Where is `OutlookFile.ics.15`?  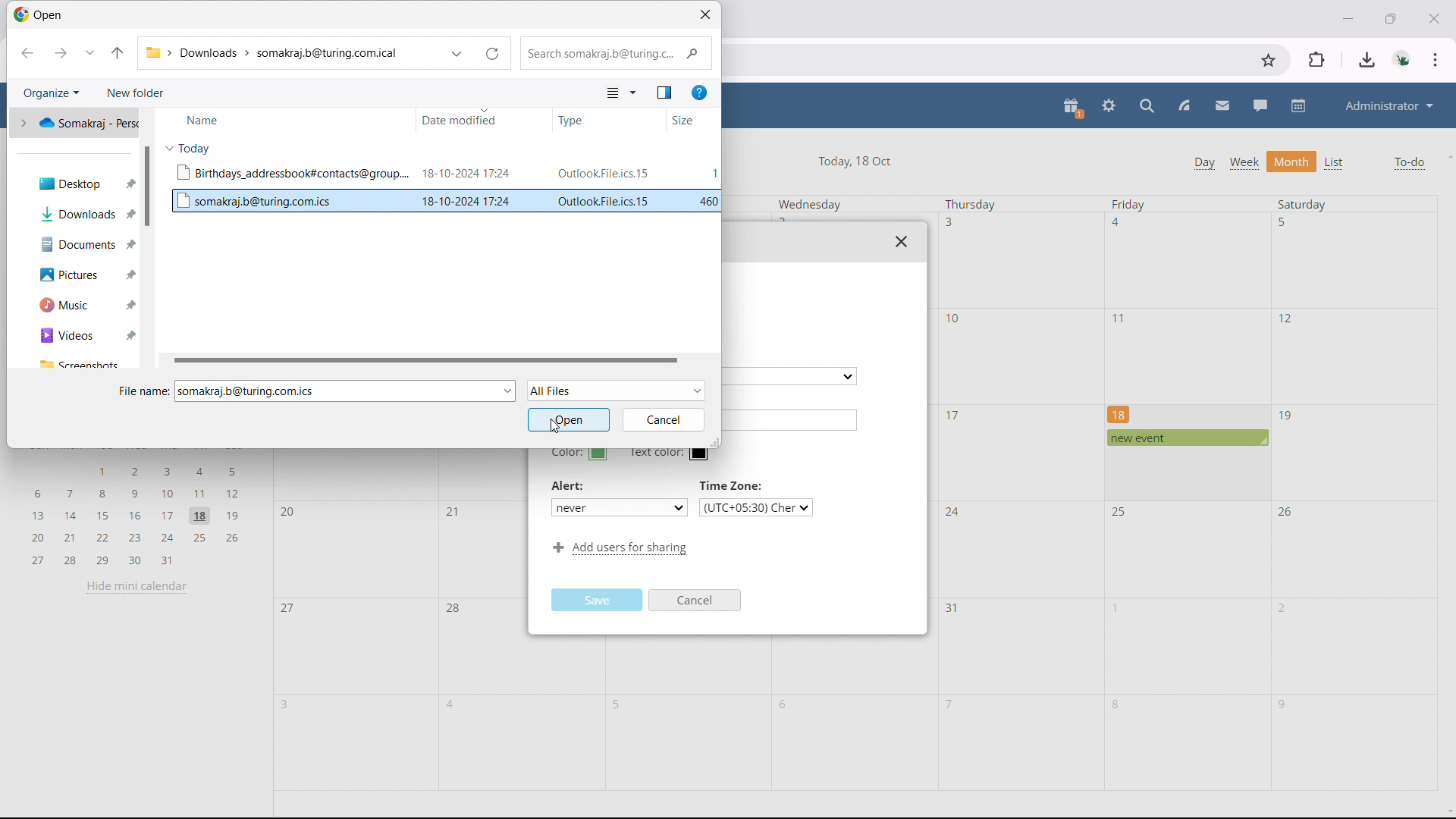 OutlookFile.ics.15 is located at coordinates (605, 201).